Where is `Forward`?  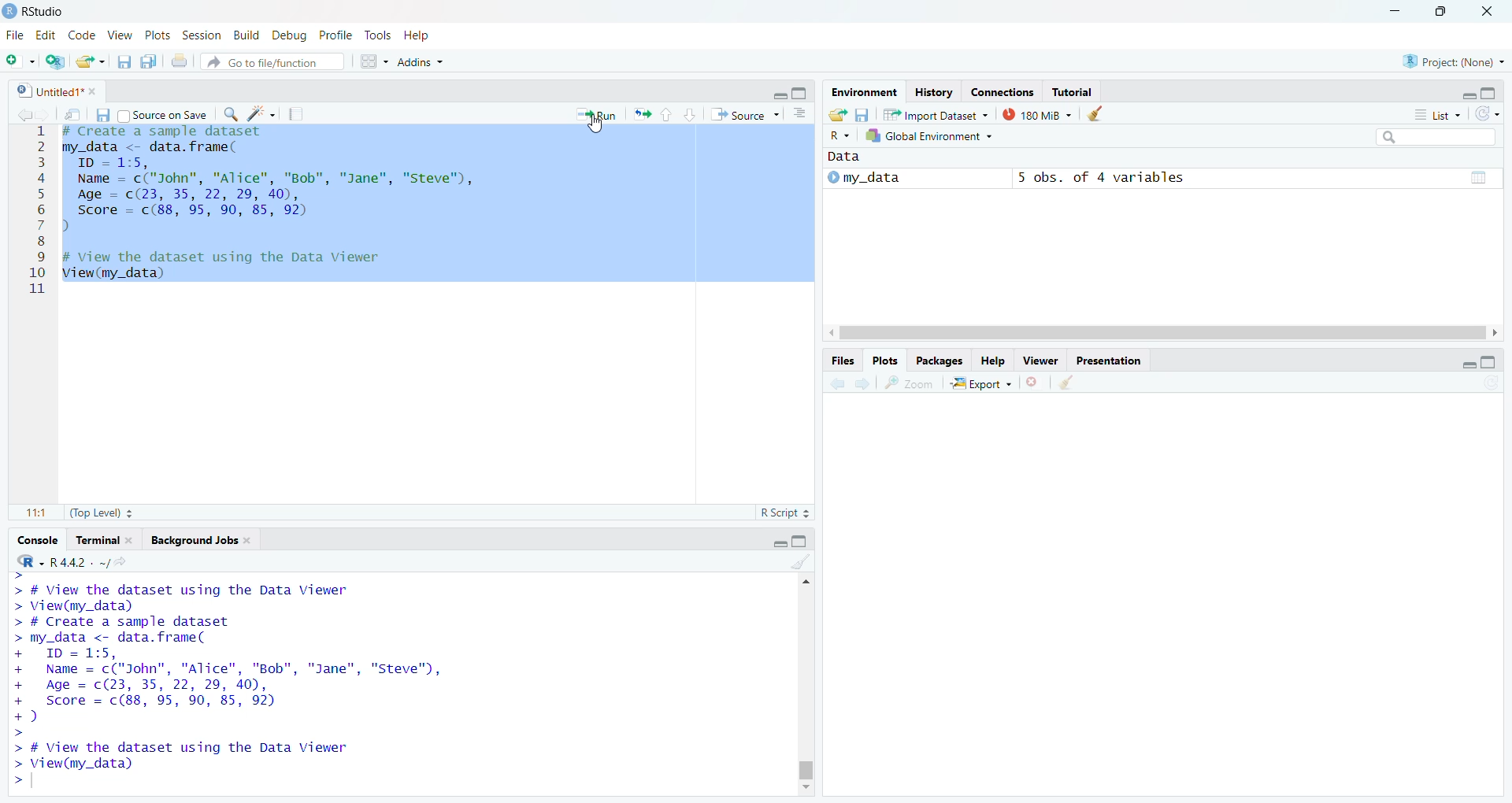 Forward is located at coordinates (46, 115).